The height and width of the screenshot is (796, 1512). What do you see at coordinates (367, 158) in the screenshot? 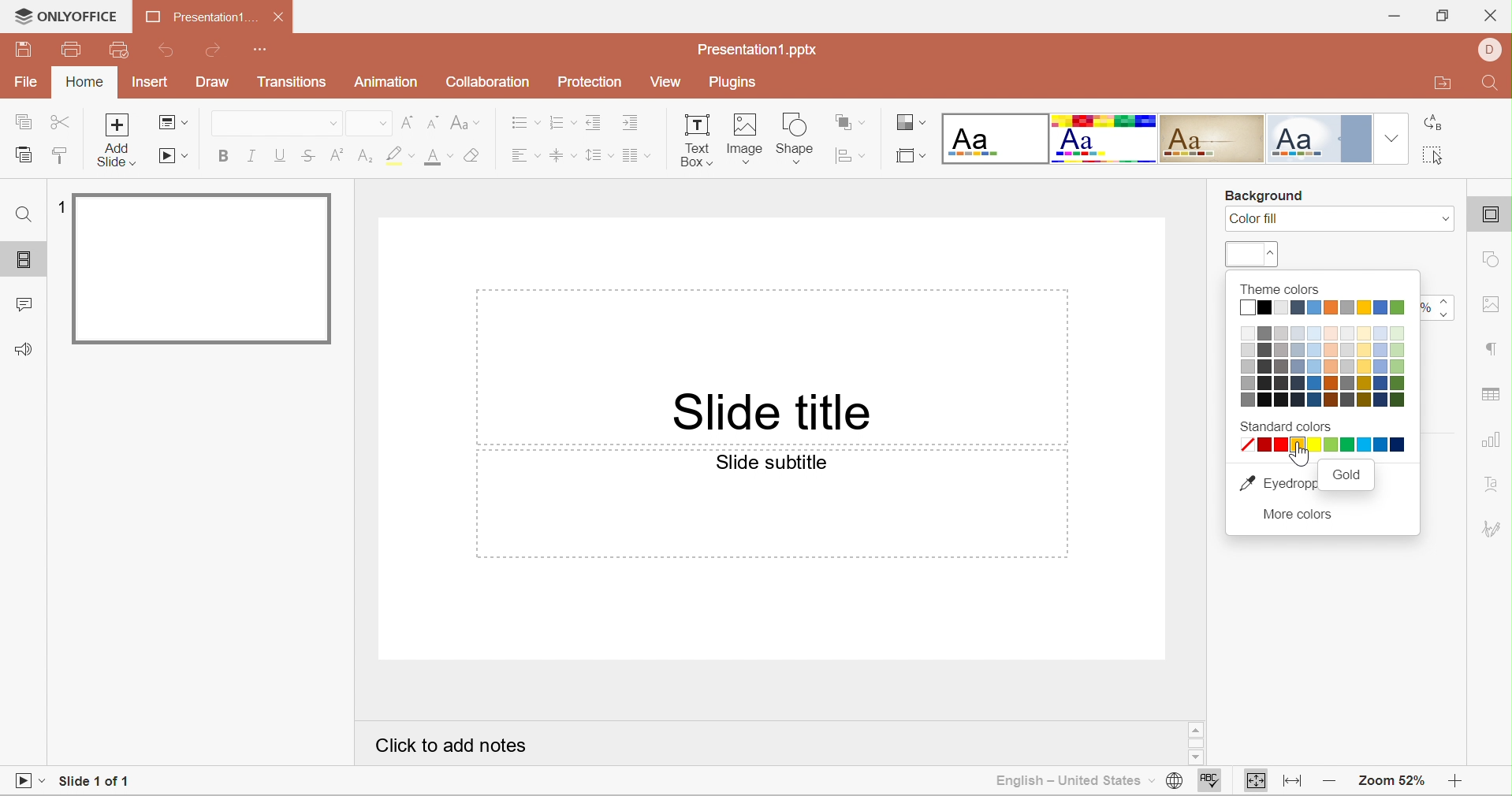
I see `Subscript` at bounding box center [367, 158].